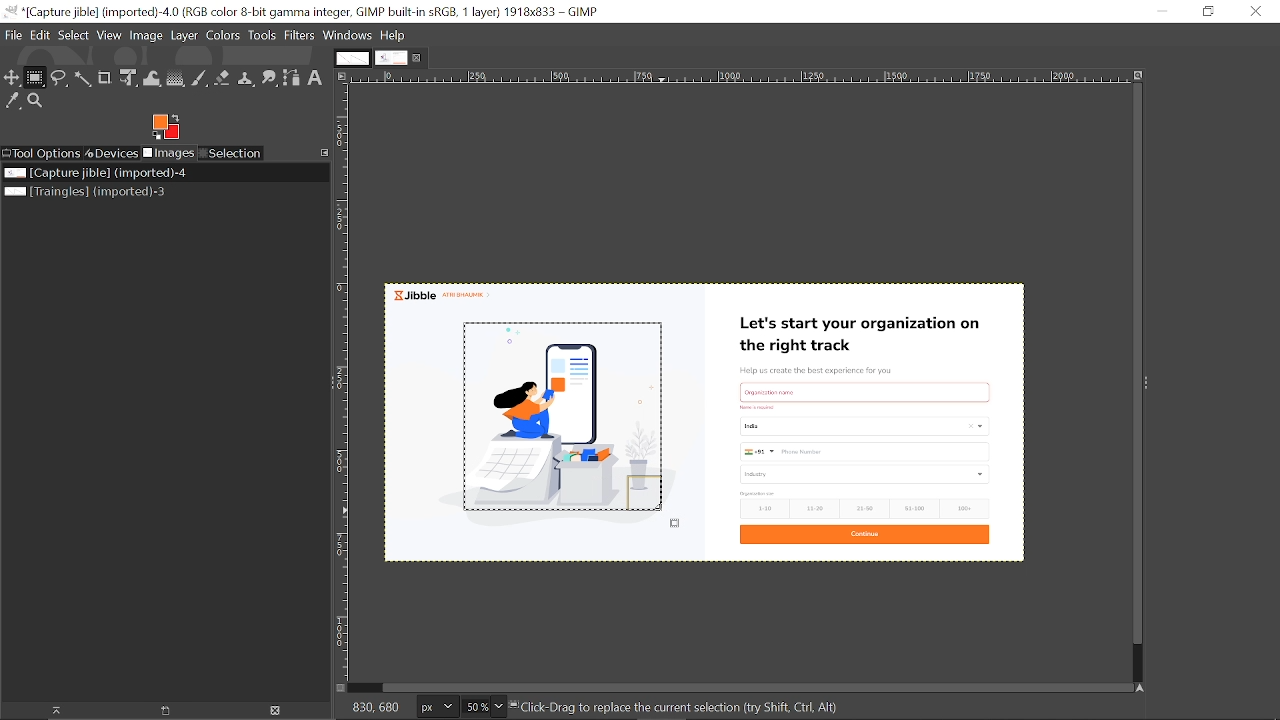  Describe the element at coordinates (418, 59) in the screenshot. I see `Close current tab` at that location.